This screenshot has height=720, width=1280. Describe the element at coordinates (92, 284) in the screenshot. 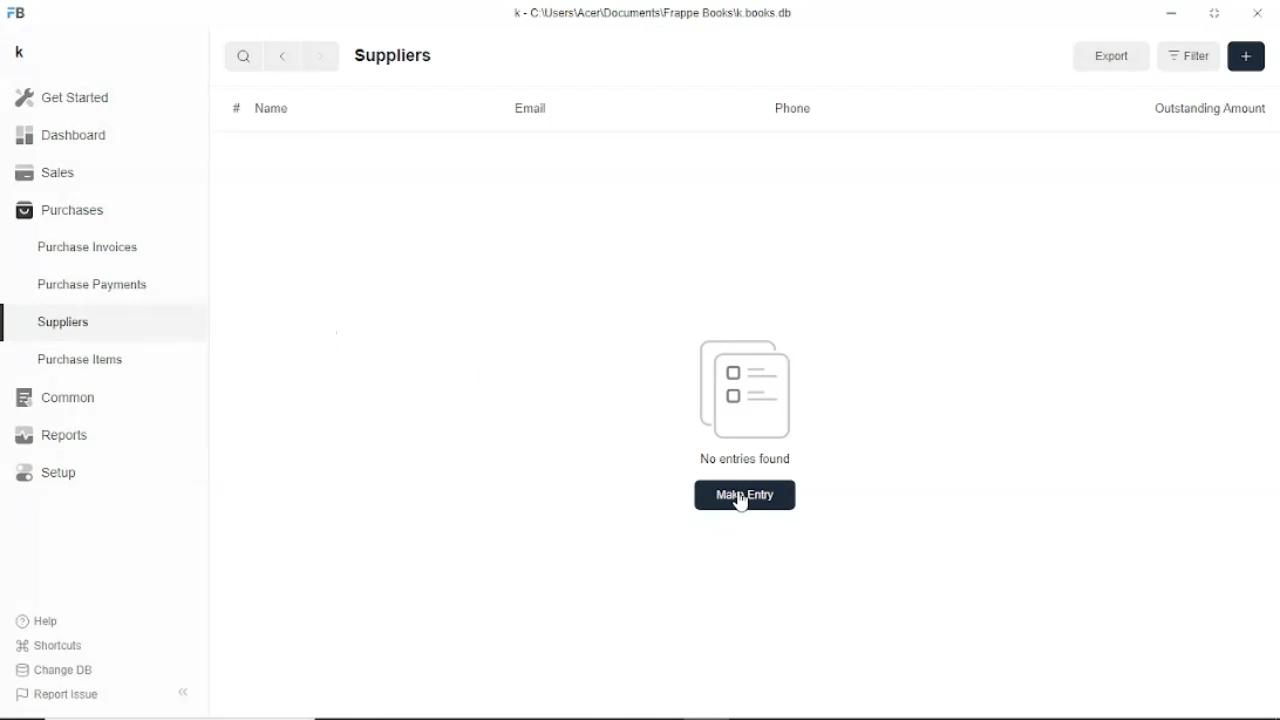

I see `Purchase payments` at that location.